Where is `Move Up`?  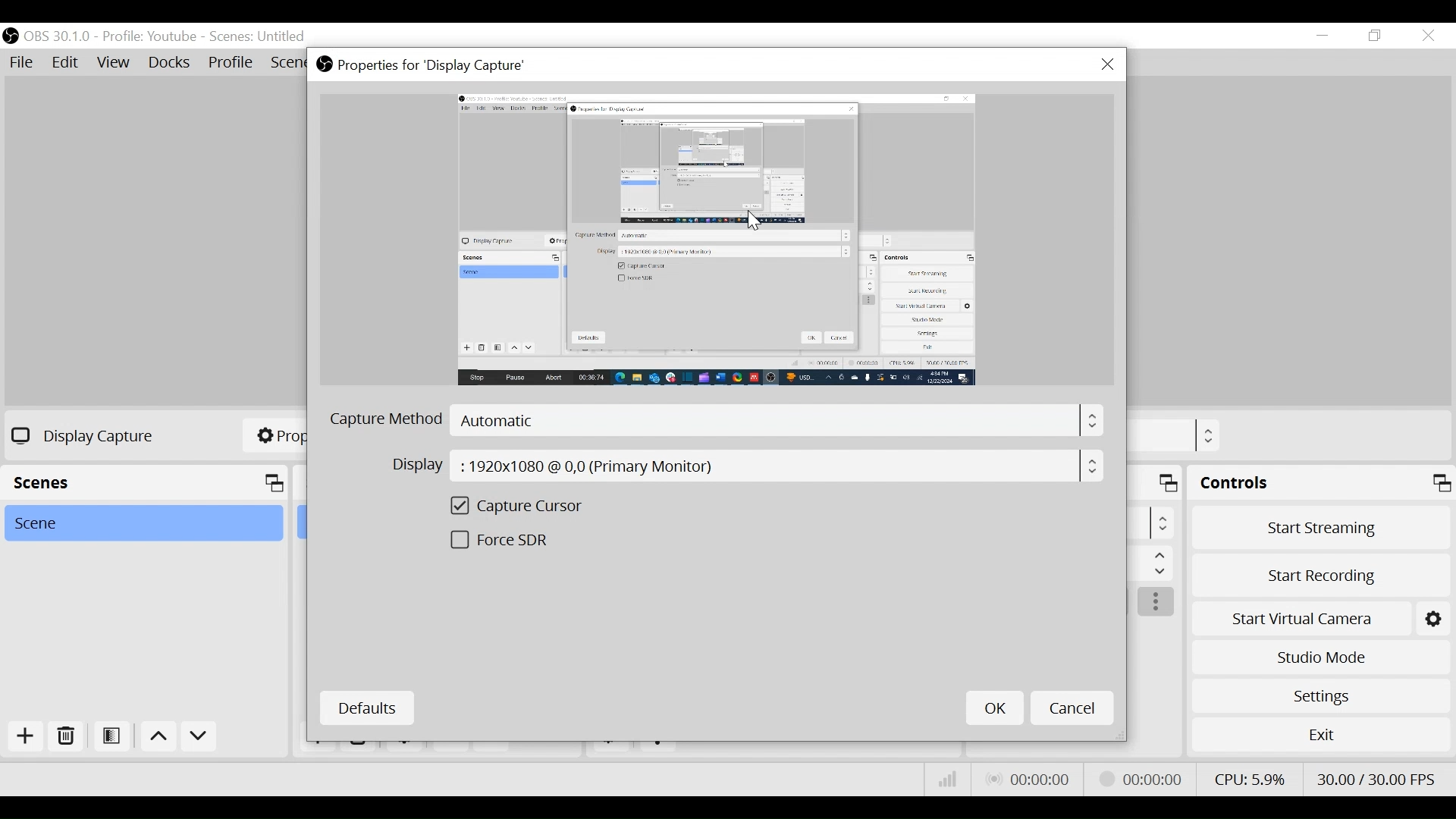 Move Up is located at coordinates (157, 738).